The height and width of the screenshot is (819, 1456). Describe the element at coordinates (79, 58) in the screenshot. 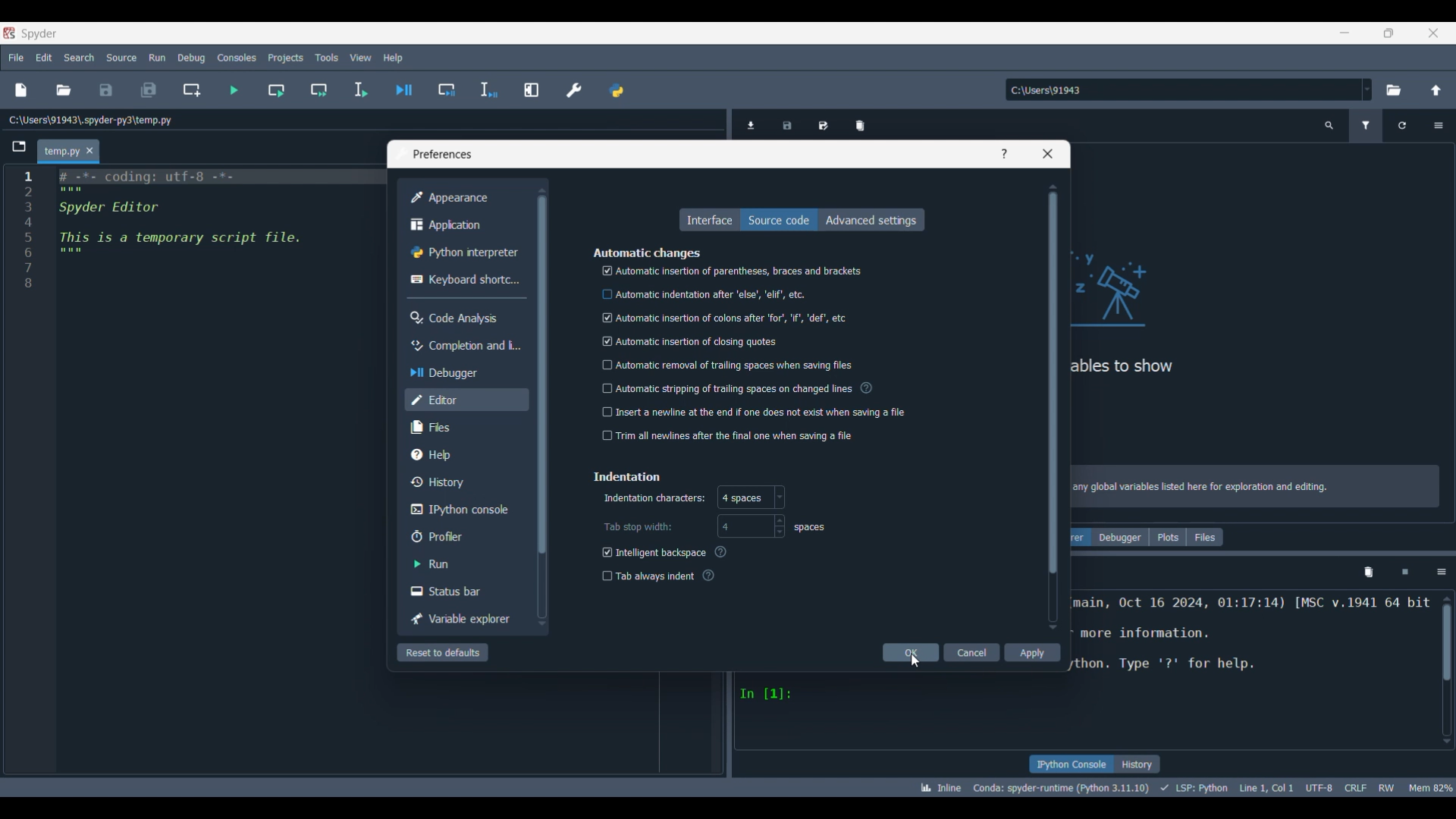

I see `Search menu` at that location.